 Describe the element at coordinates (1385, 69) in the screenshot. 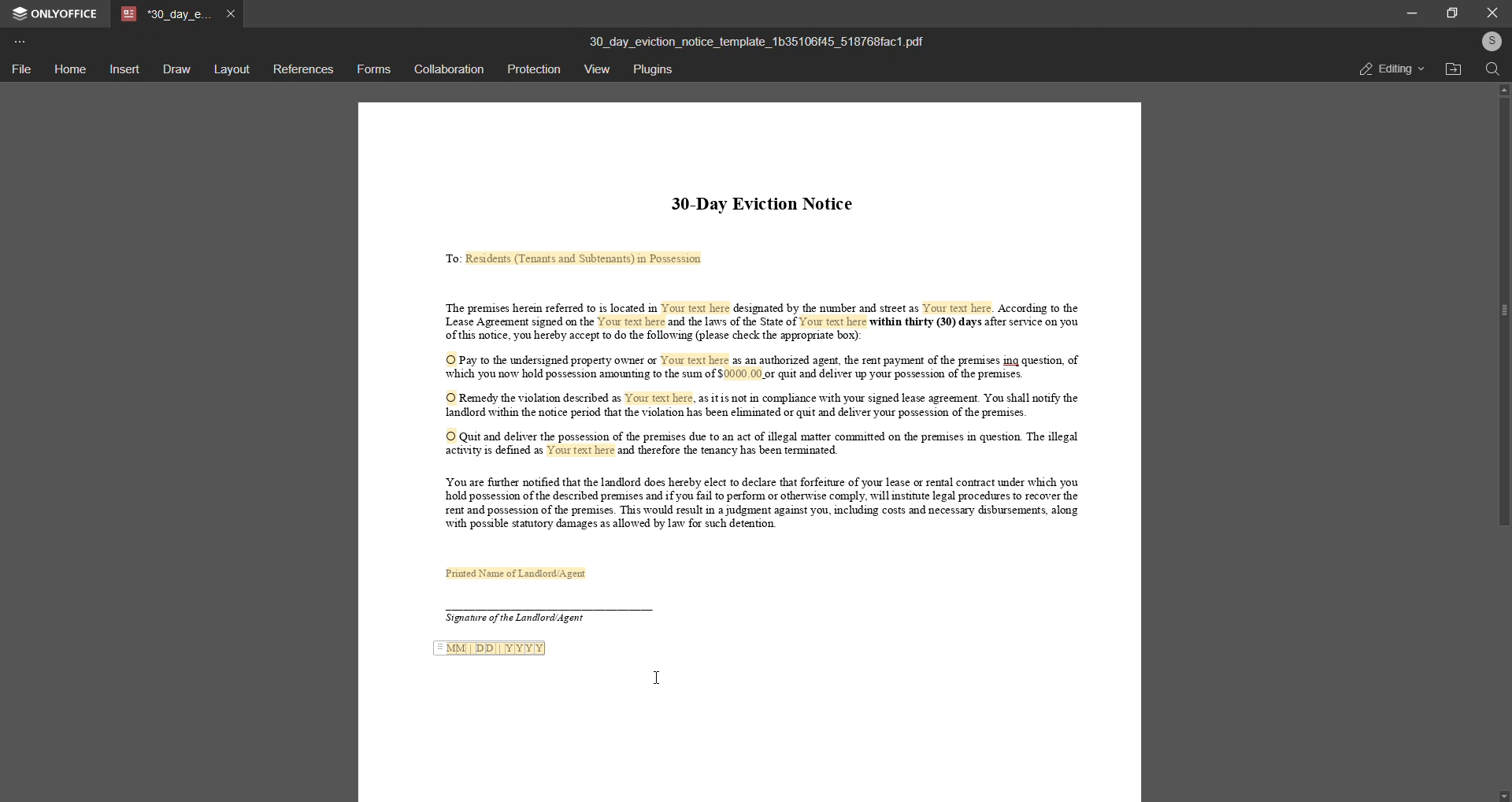

I see `editing` at that location.